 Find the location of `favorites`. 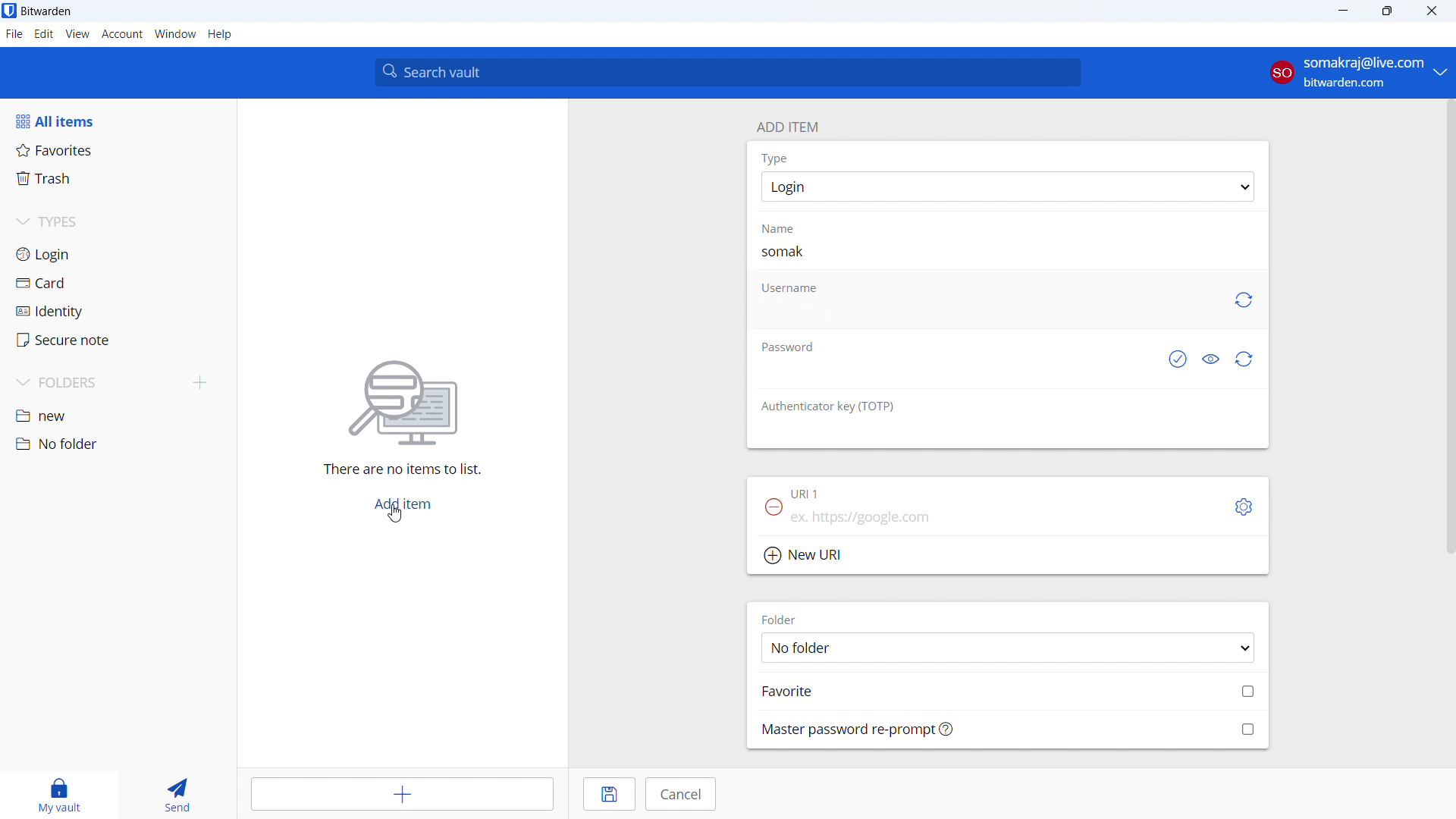

favorites is located at coordinates (118, 149).